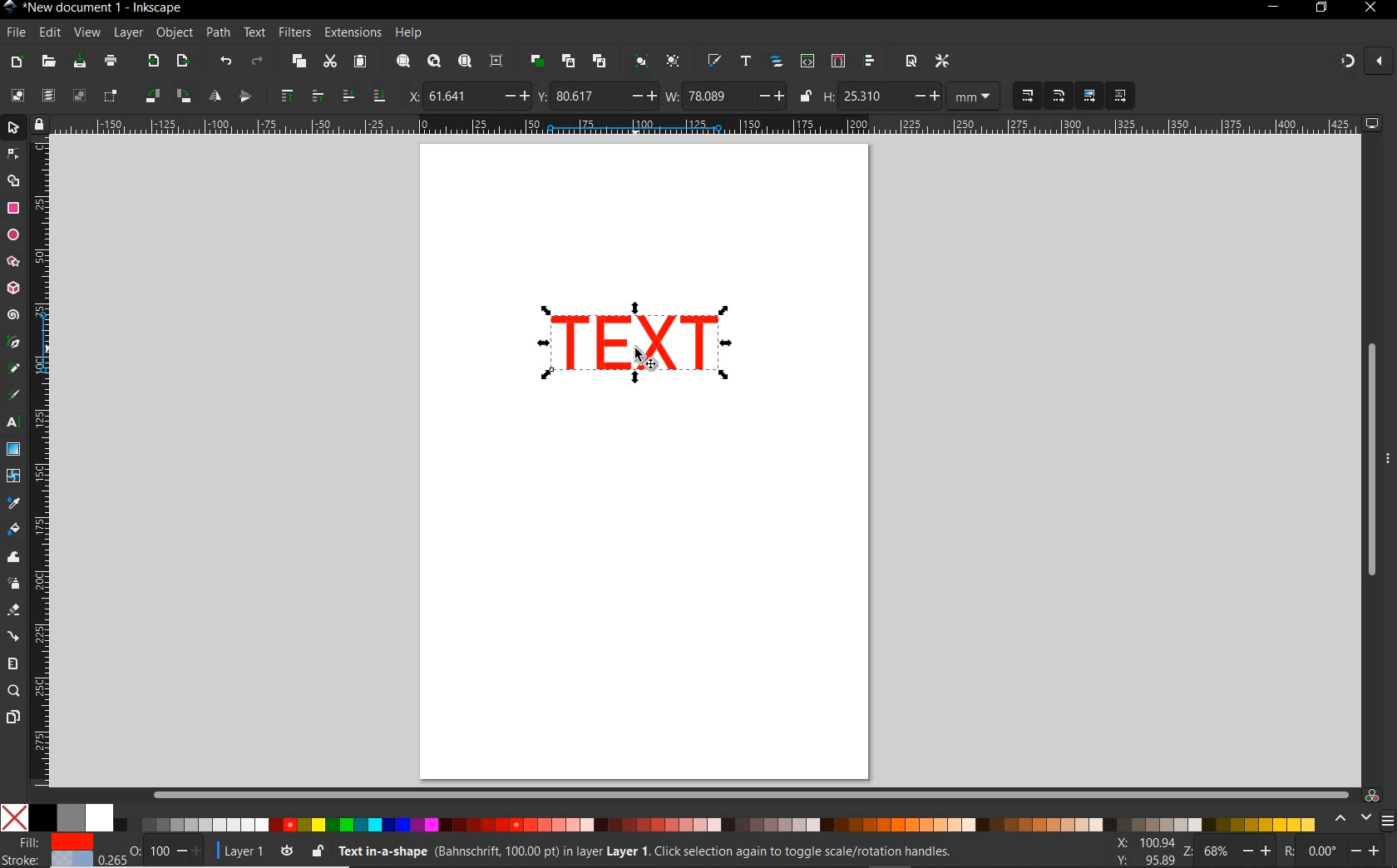 The width and height of the screenshot is (1397, 868). I want to click on gradient tool, so click(13, 450).